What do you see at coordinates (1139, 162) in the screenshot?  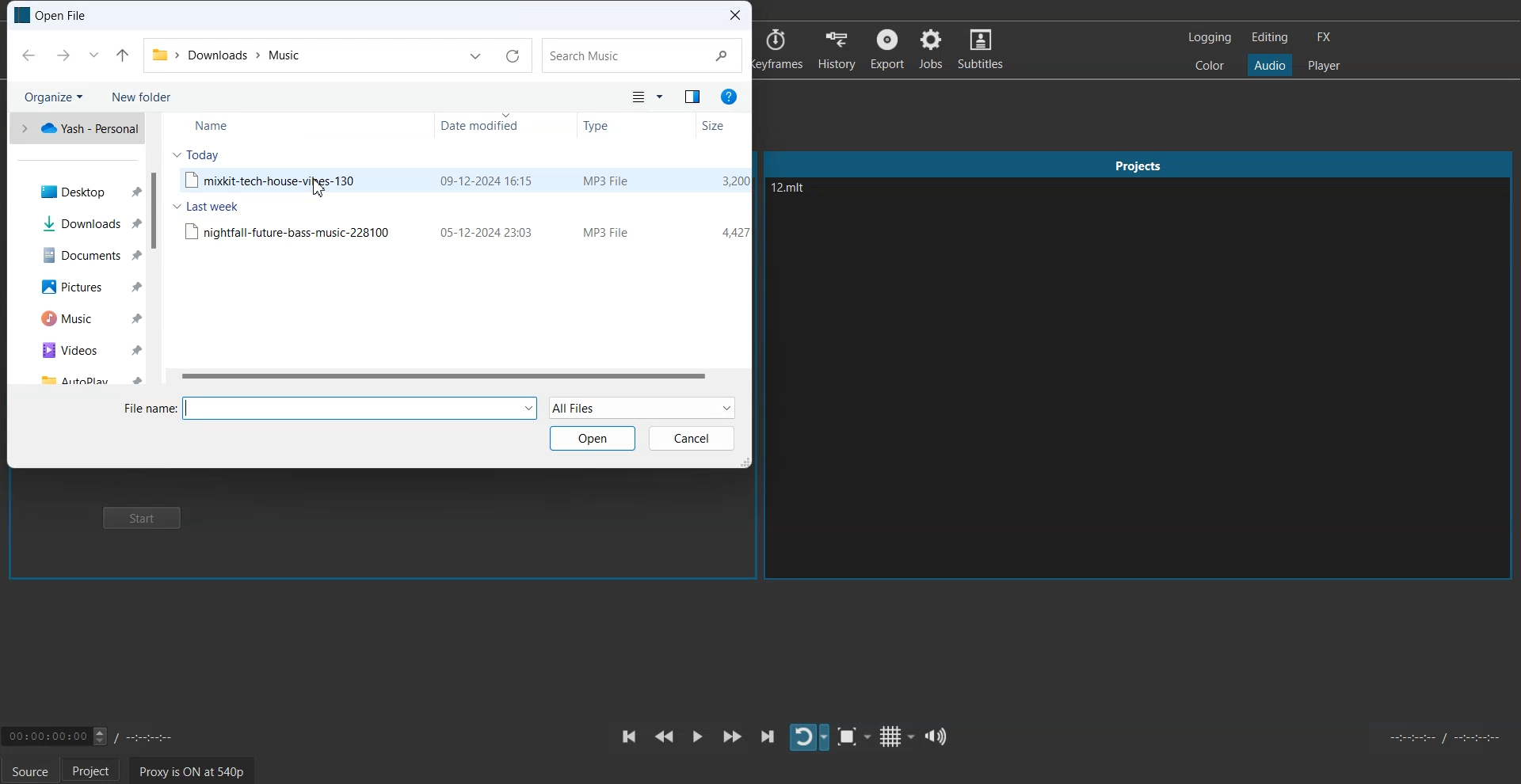 I see `Project window` at bounding box center [1139, 162].